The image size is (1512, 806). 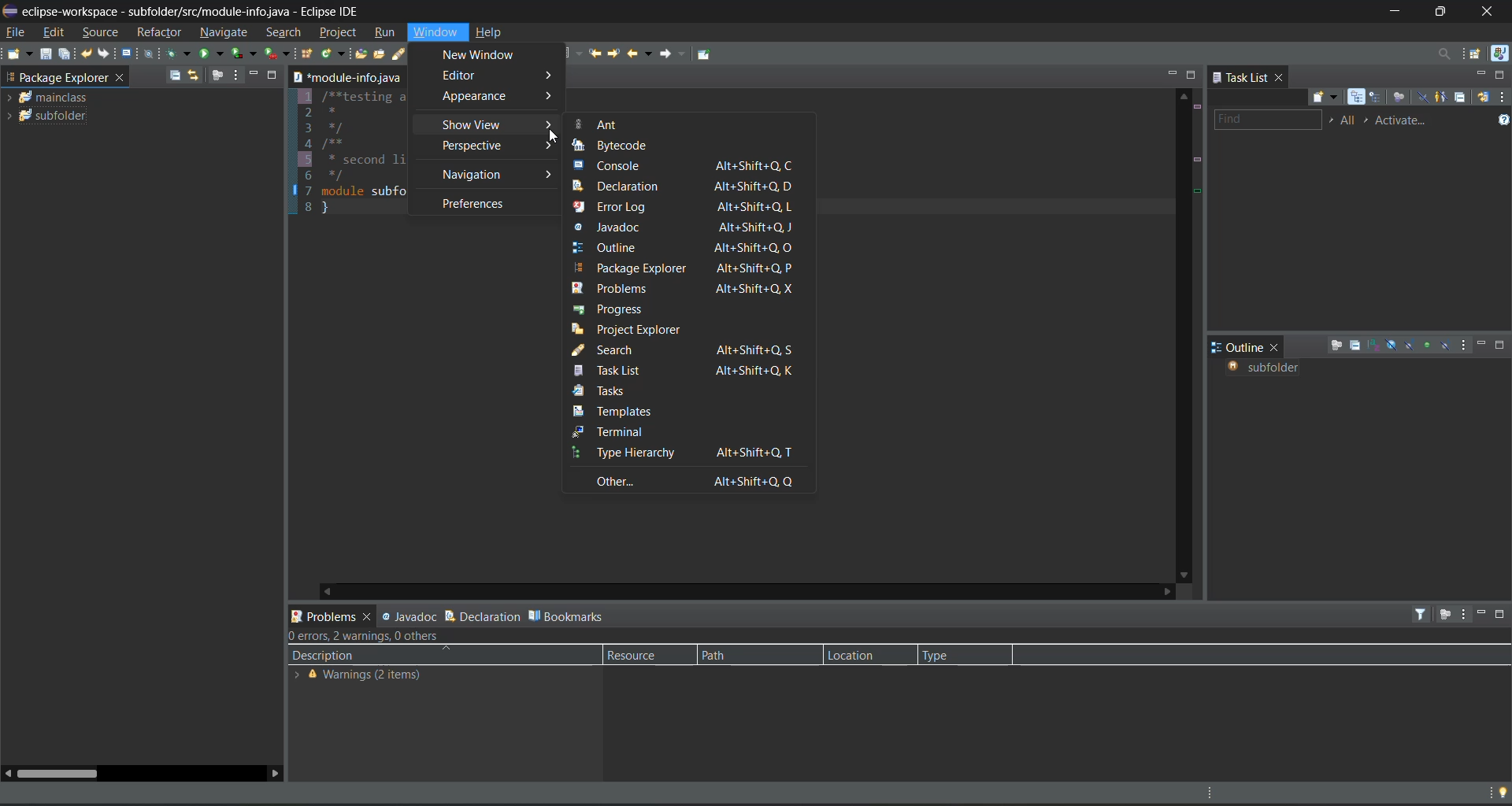 I want to click on close, so click(x=122, y=79).